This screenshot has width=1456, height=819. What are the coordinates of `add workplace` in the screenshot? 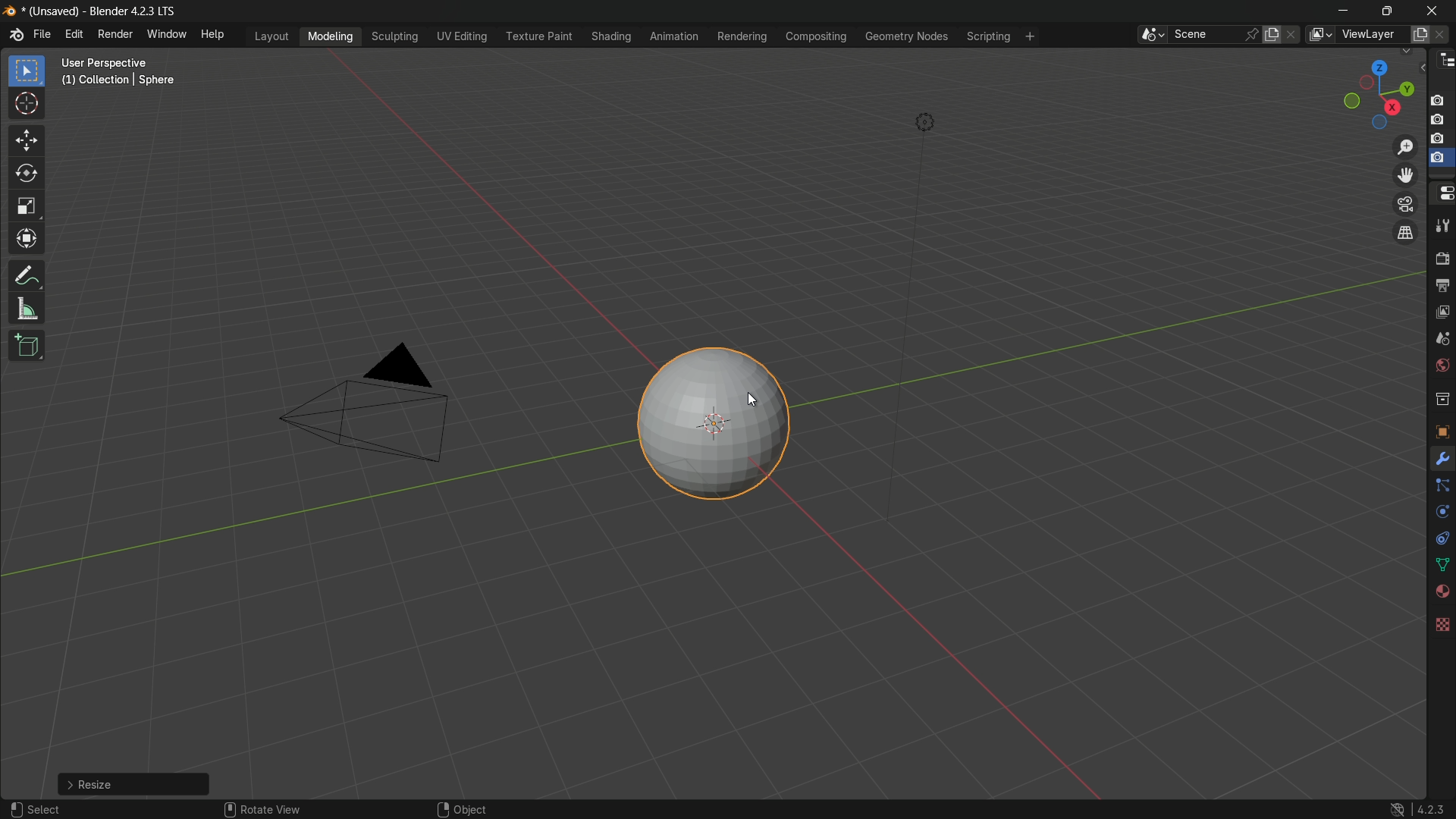 It's located at (1028, 36).